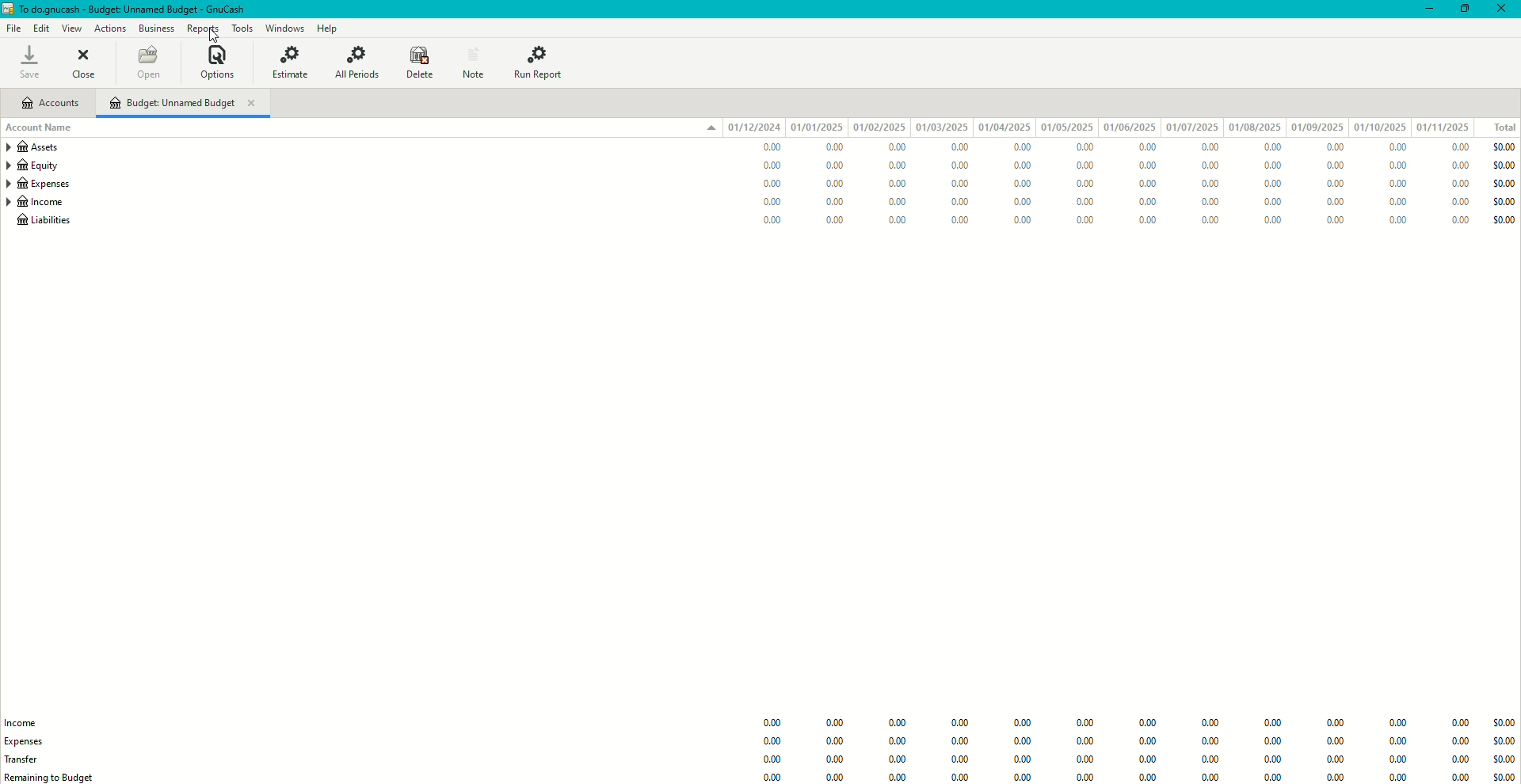  What do you see at coordinates (840, 219) in the screenshot?
I see `0.00` at bounding box center [840, 219].